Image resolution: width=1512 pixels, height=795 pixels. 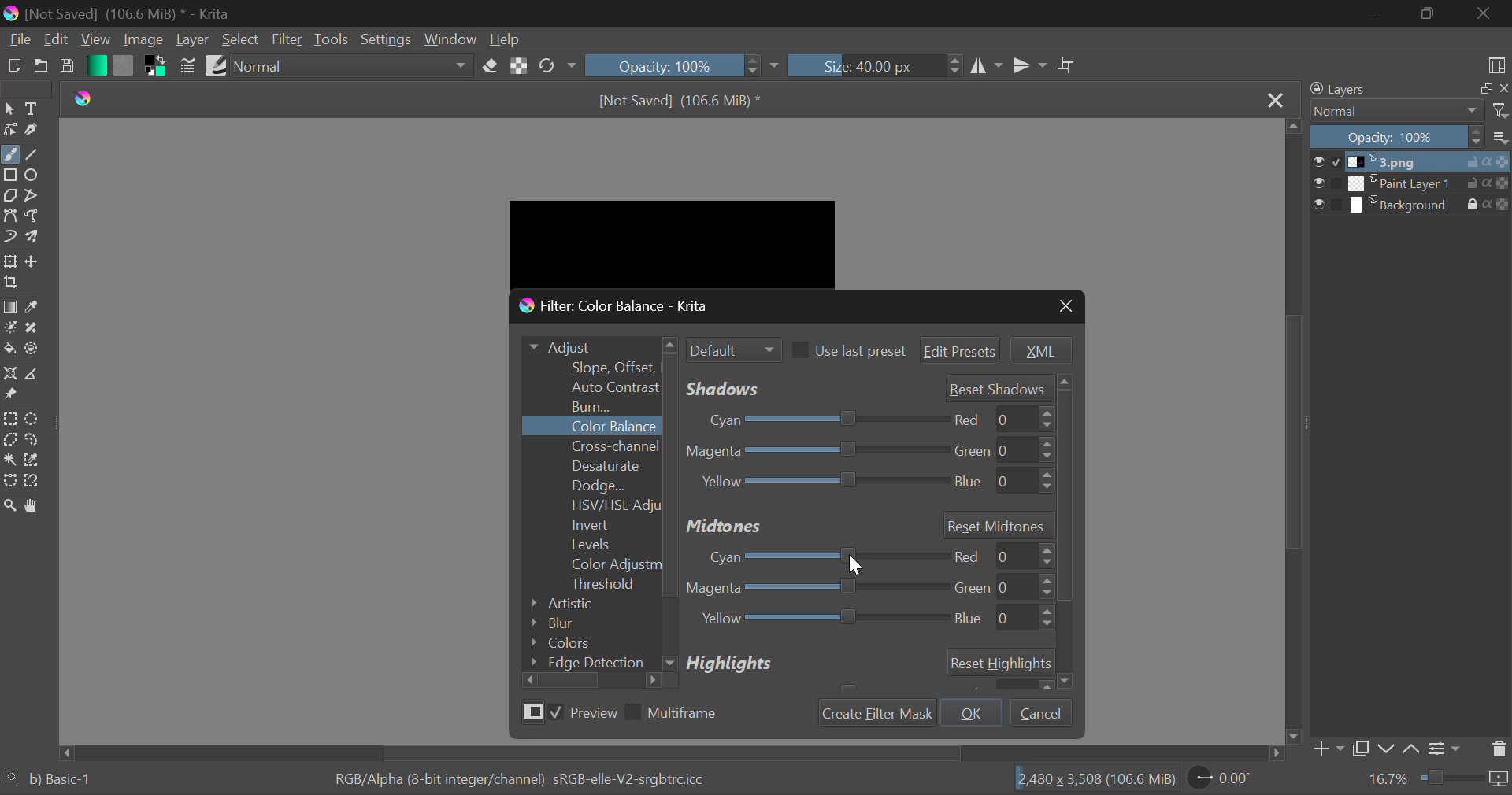 What do you see at coordinates (628, 308) in the screenshot?
I see `Window Title` at bounding box center [628, 308].